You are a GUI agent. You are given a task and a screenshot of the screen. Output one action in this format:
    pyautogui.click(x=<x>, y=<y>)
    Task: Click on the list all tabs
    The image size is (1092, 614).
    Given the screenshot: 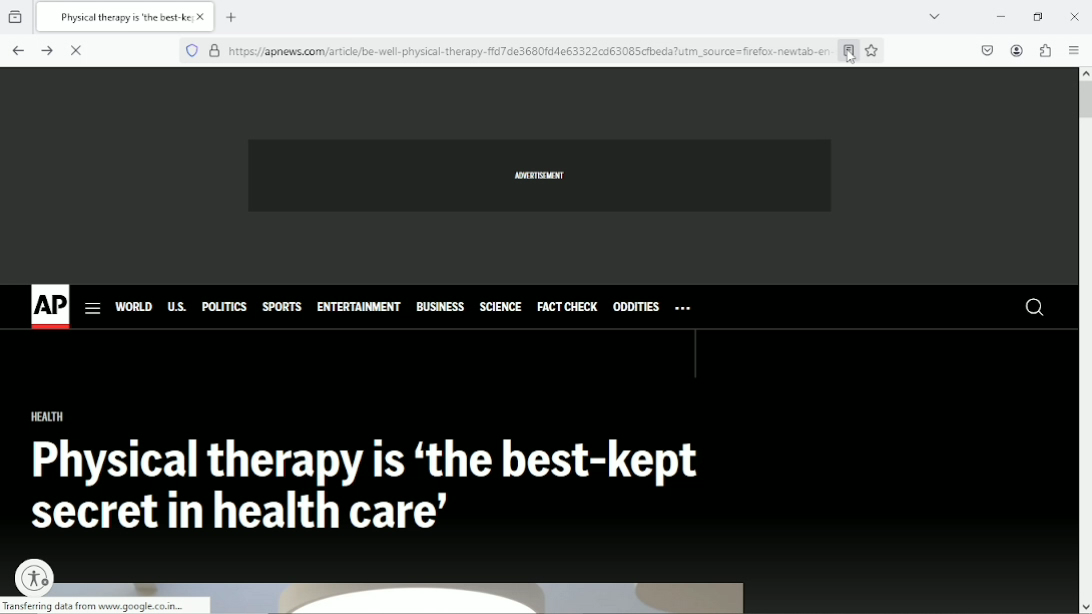 What is the action you would take?
    pyautogui.click(x=938, y=17)
    